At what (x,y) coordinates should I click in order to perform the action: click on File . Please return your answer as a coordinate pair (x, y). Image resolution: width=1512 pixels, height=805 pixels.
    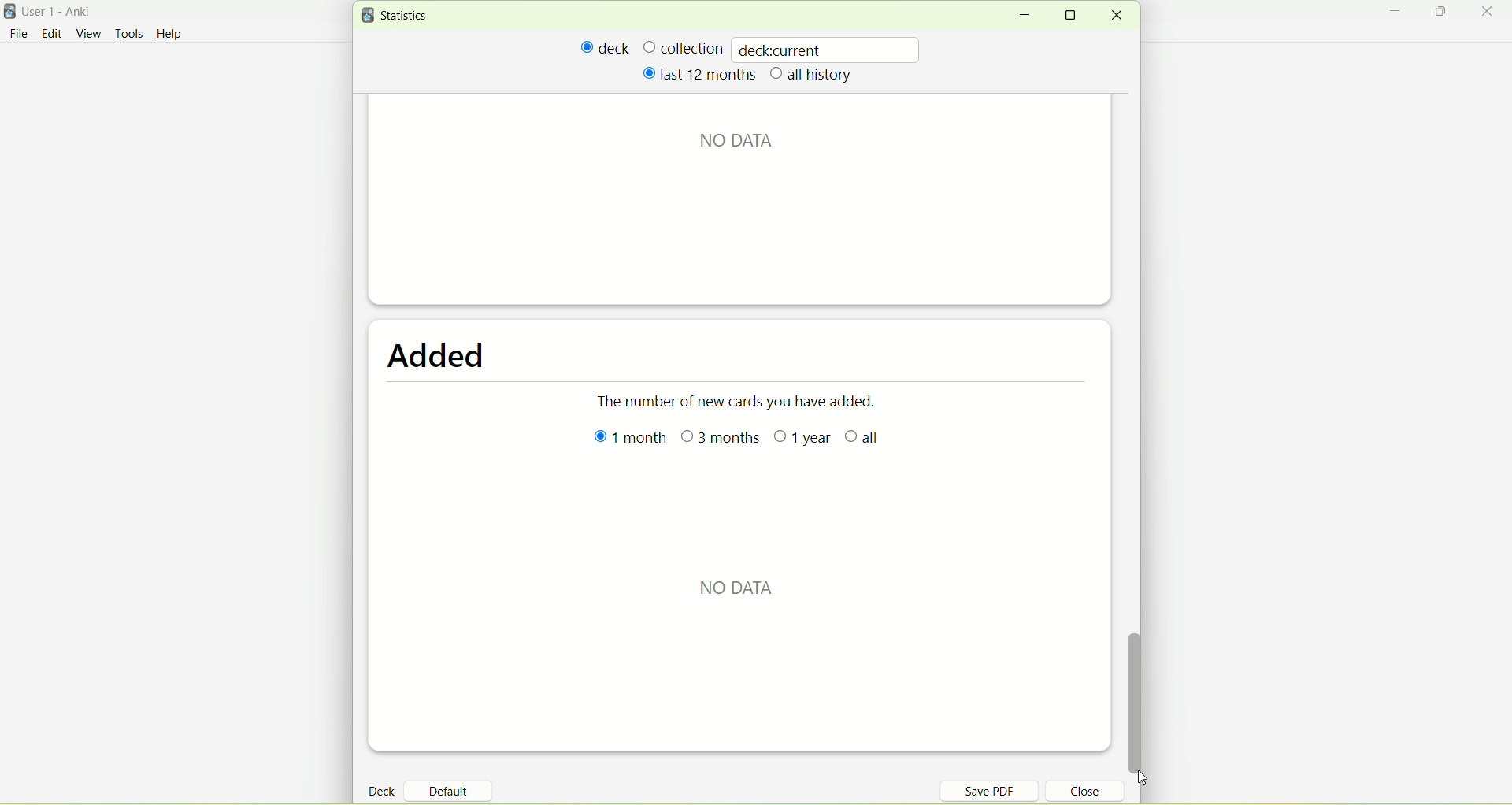
    Looking at the image, I should click on (18, 34).